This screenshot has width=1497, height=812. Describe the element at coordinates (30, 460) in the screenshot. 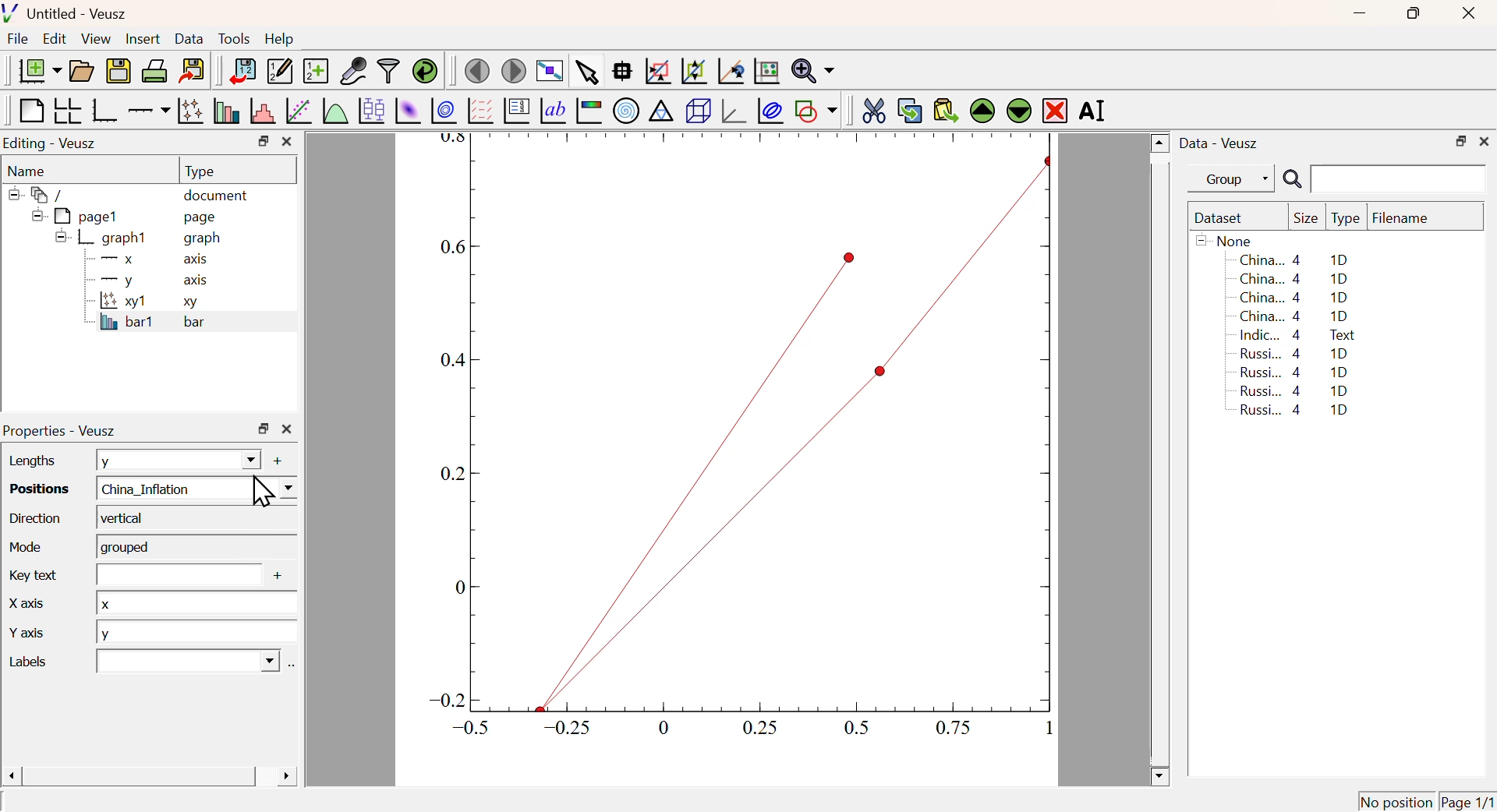

I see `Lengths` at that location.